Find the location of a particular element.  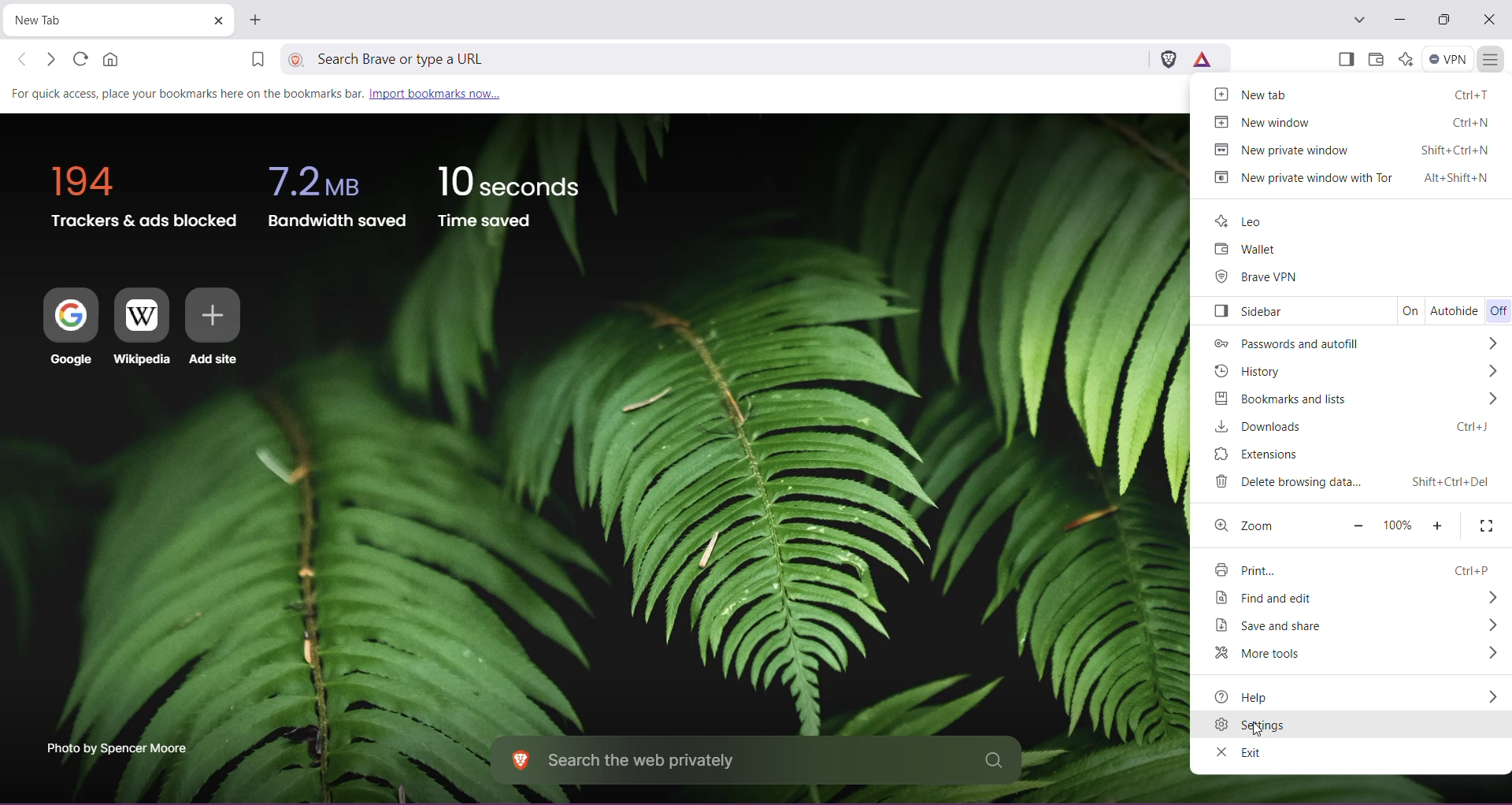

Print is located at coordinates (1353, 569).